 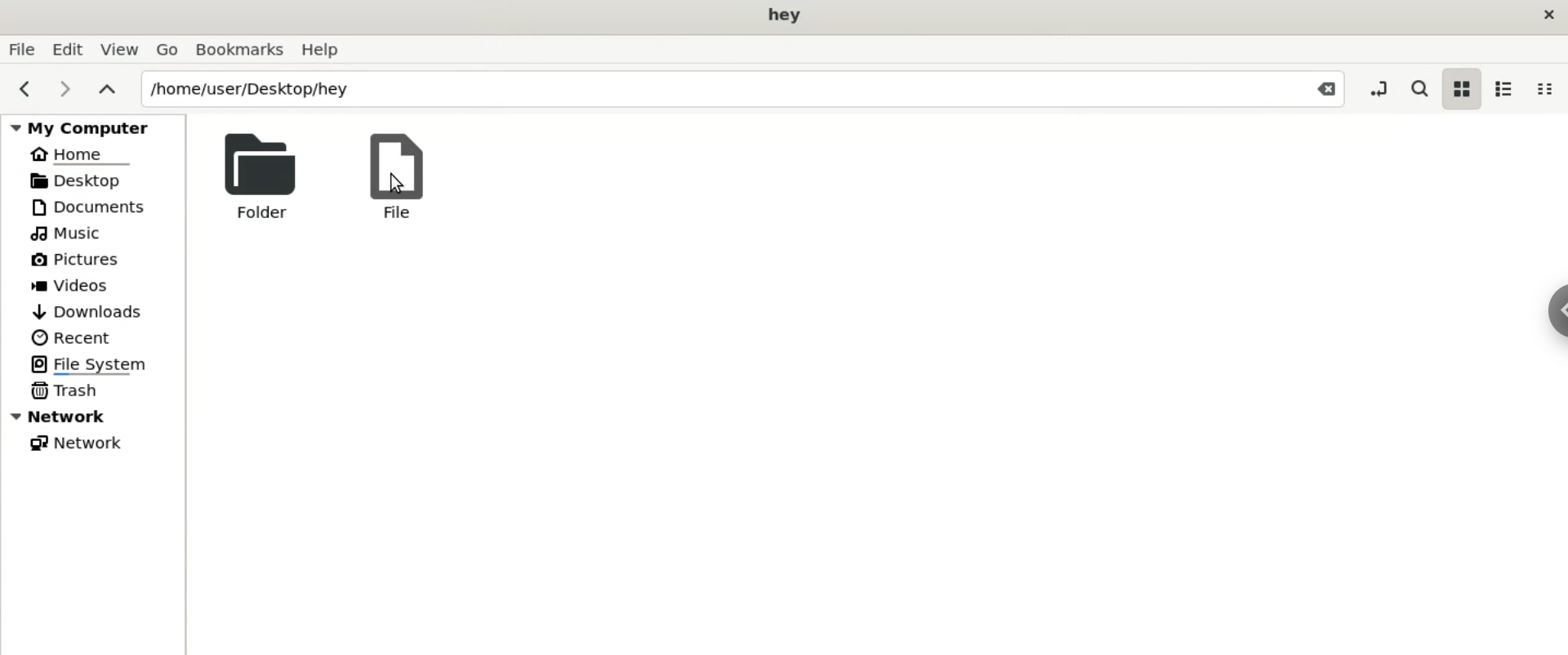 What do you see at coordinates (65, 389) in the screenshot?
I see `trash` at bounding box center [65, 389].